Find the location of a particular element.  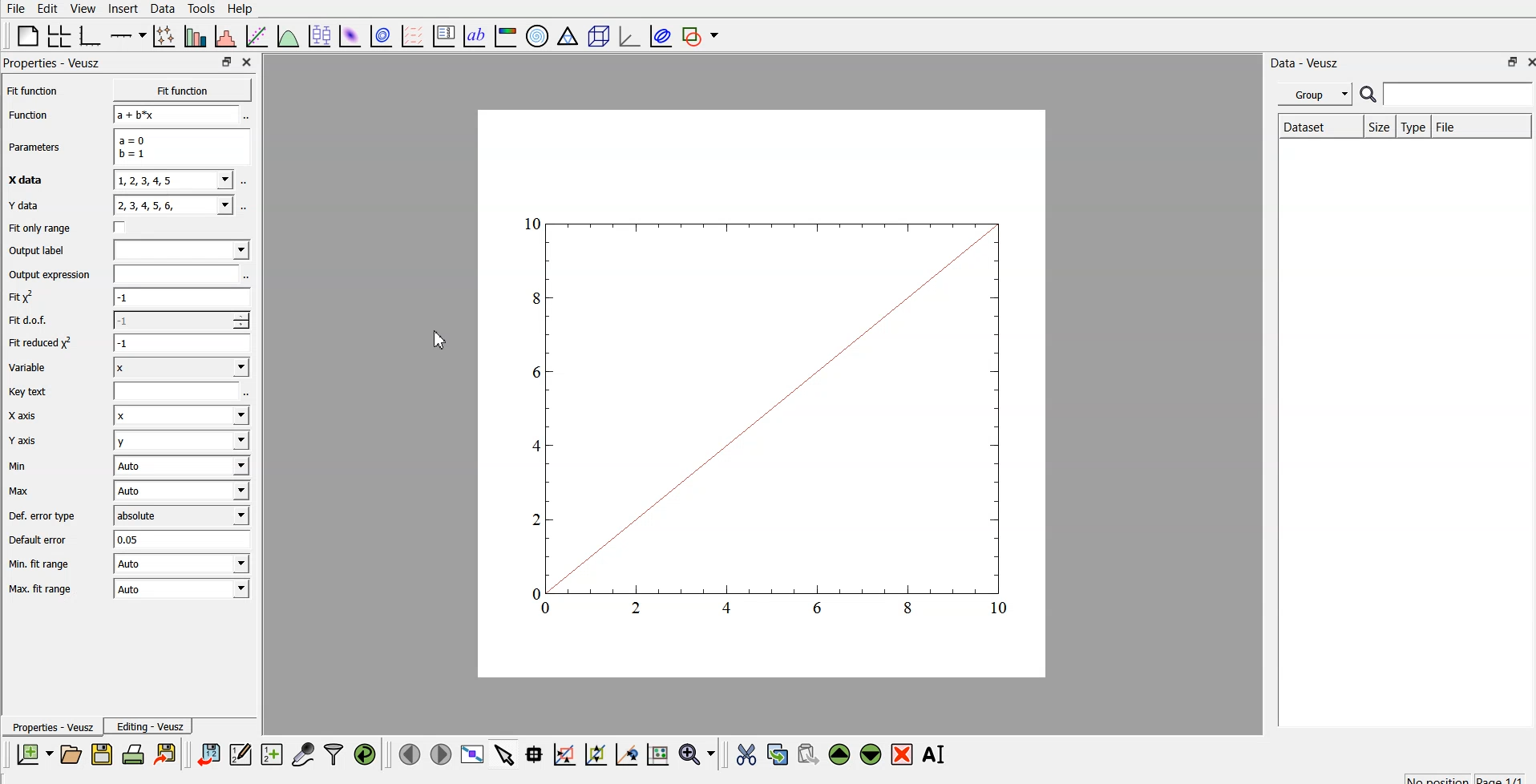

check box is located at coordinates (122, 227).